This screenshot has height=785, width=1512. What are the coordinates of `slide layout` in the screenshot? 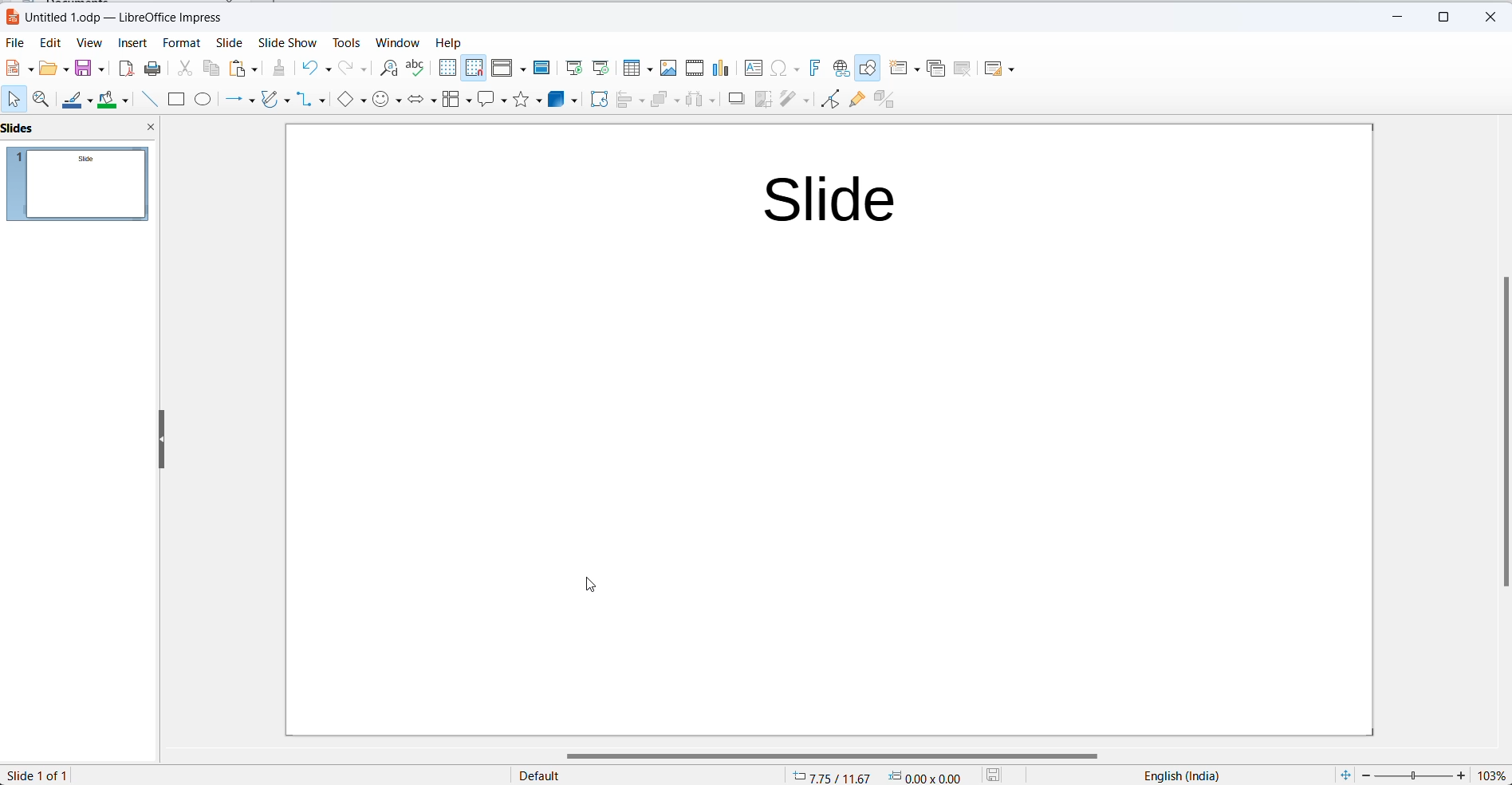 It's located at (1005, 67).